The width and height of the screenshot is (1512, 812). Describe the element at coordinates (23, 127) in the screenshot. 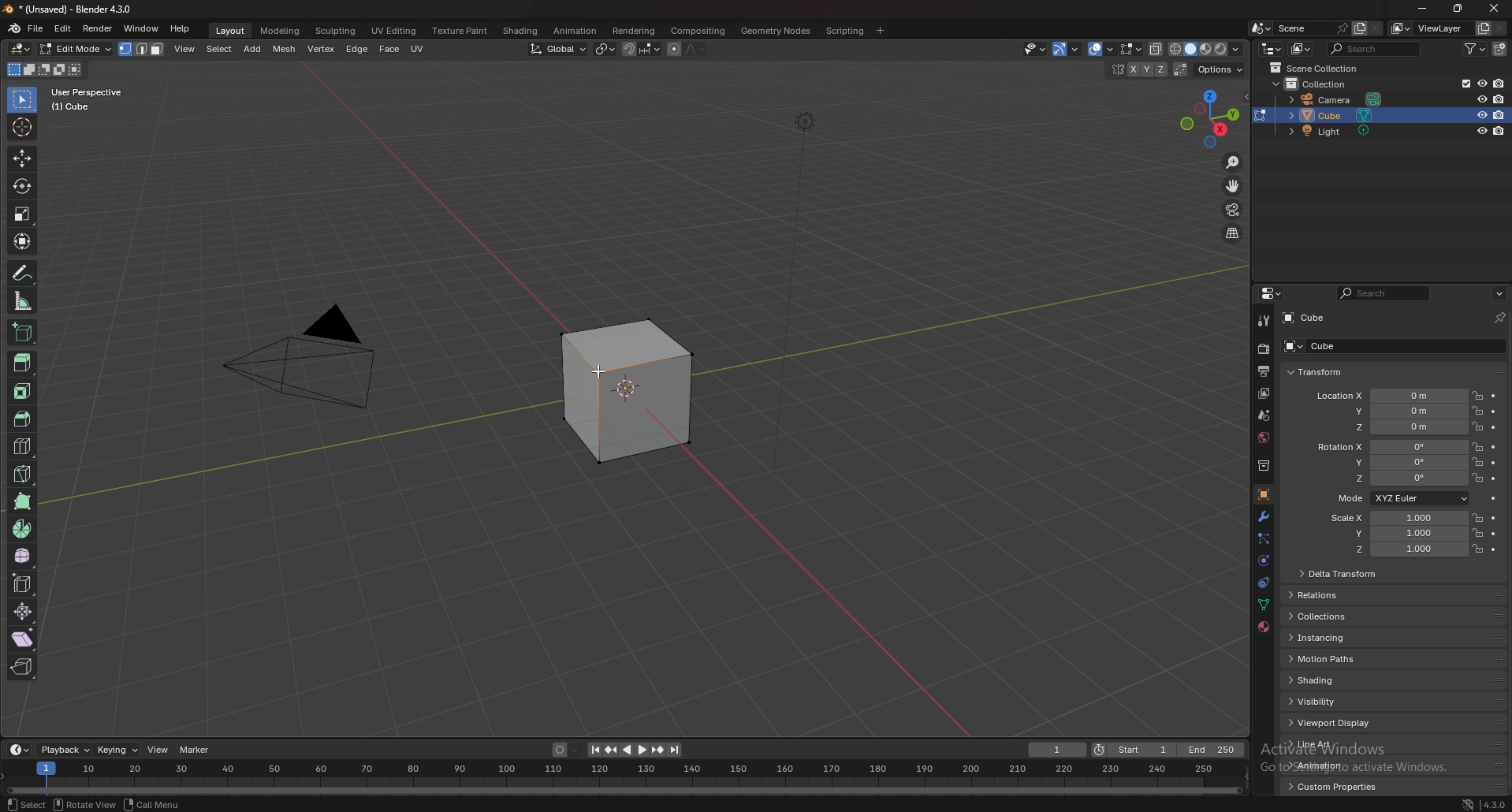

I see `cursor` at that location.